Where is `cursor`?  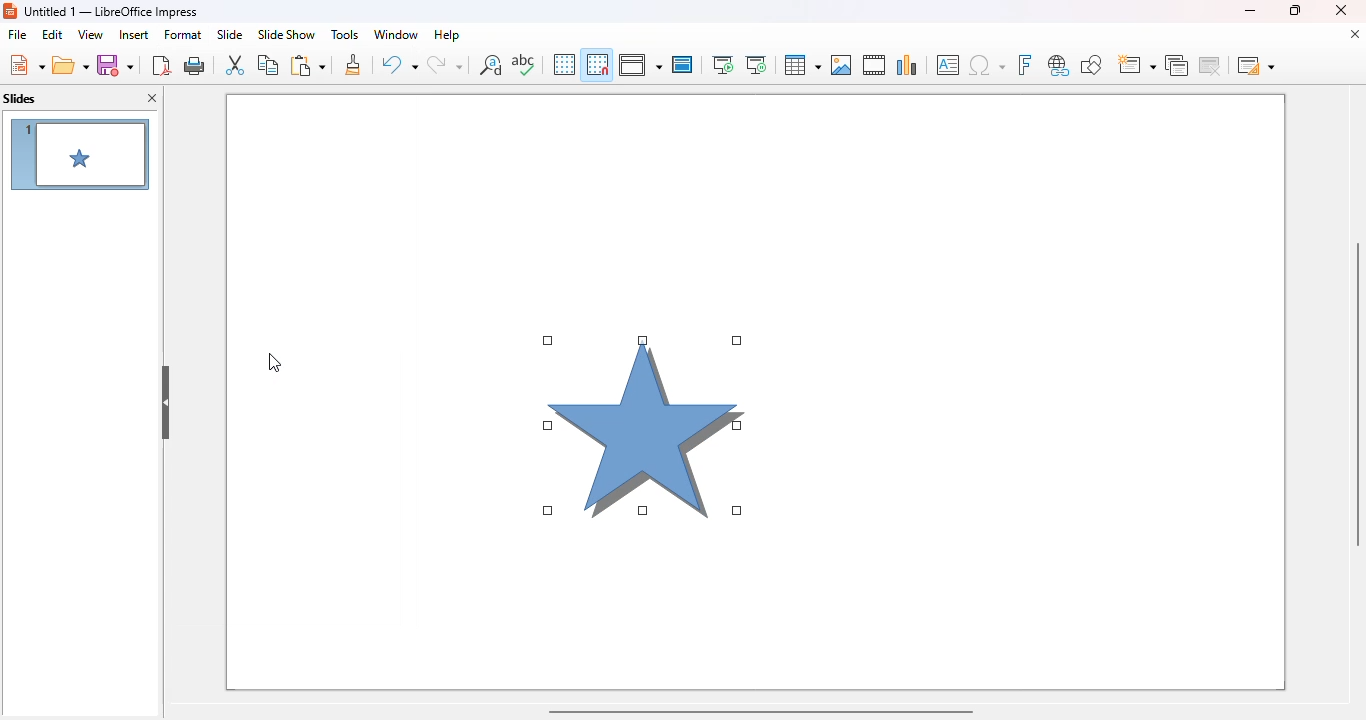 cursor is located at coordinates (275, 363).